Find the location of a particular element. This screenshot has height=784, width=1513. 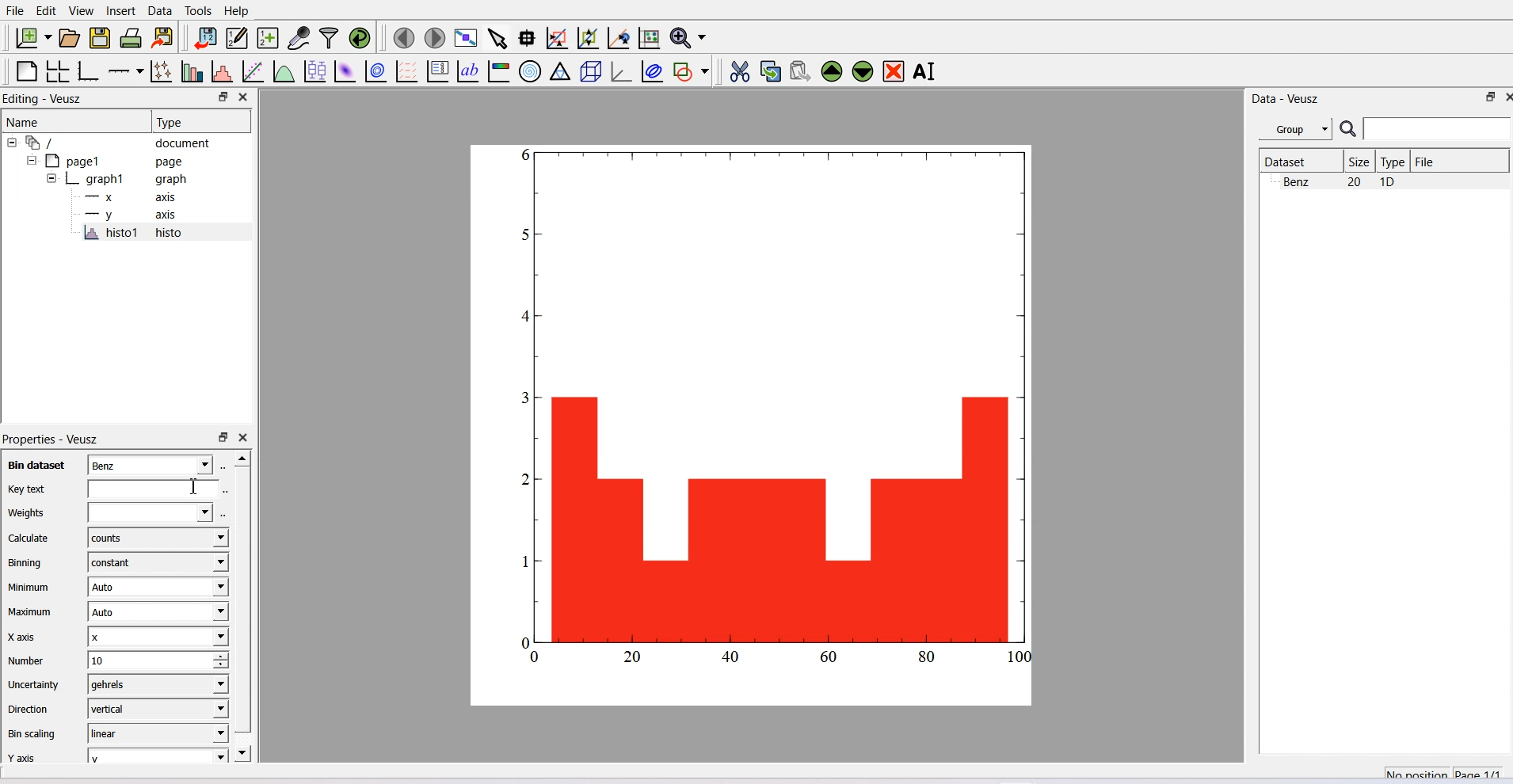

3D Graph is located at coordinates (622, 71).